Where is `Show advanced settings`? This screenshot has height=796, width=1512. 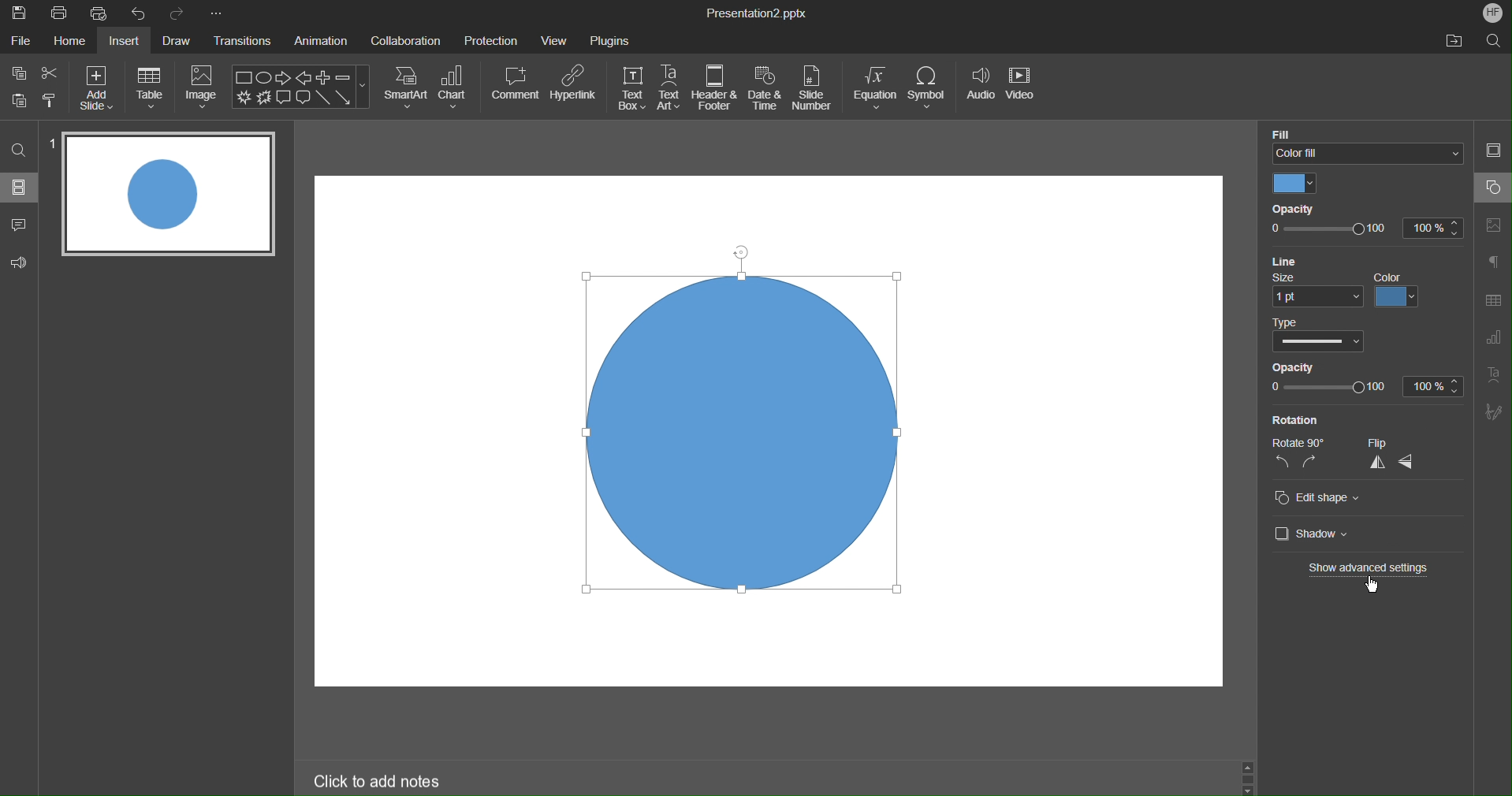
Show advanced settings is located at coordinates (1371, 569).